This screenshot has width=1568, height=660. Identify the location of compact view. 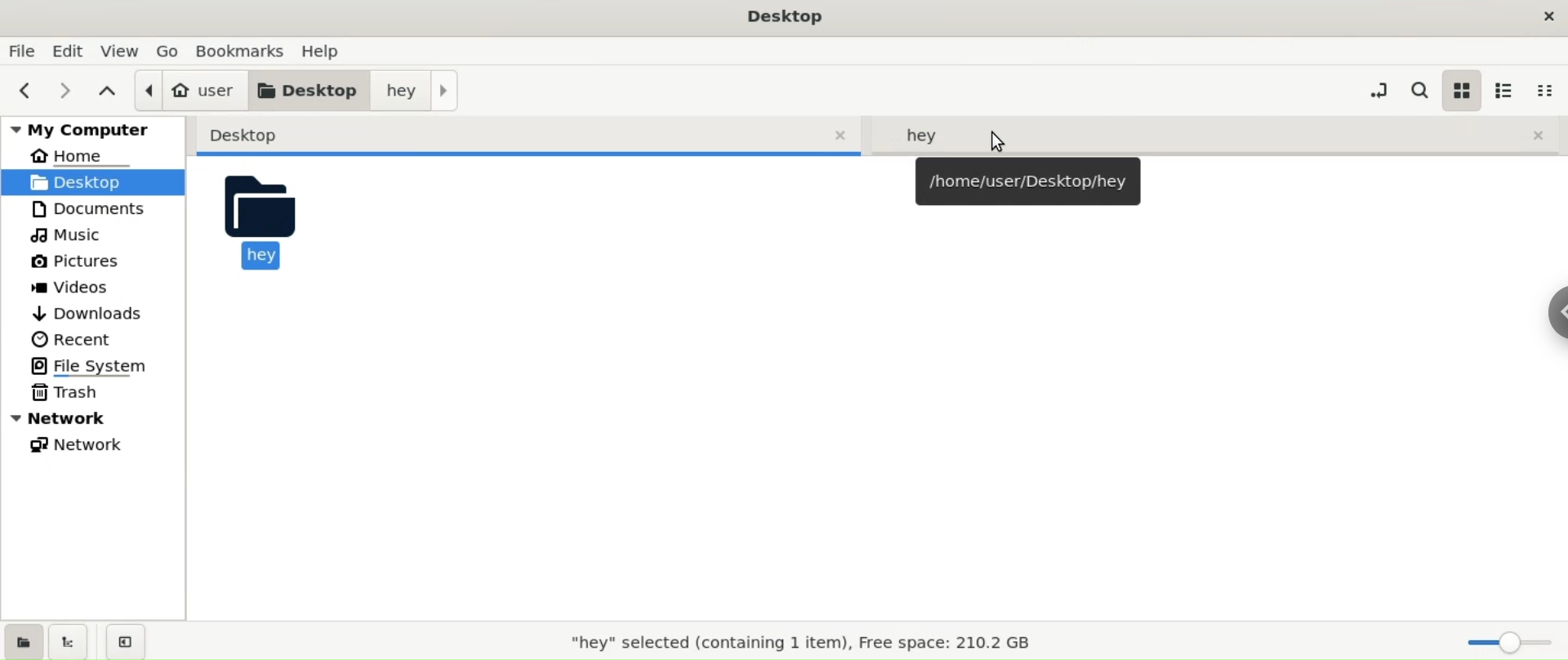
(1546, 91).